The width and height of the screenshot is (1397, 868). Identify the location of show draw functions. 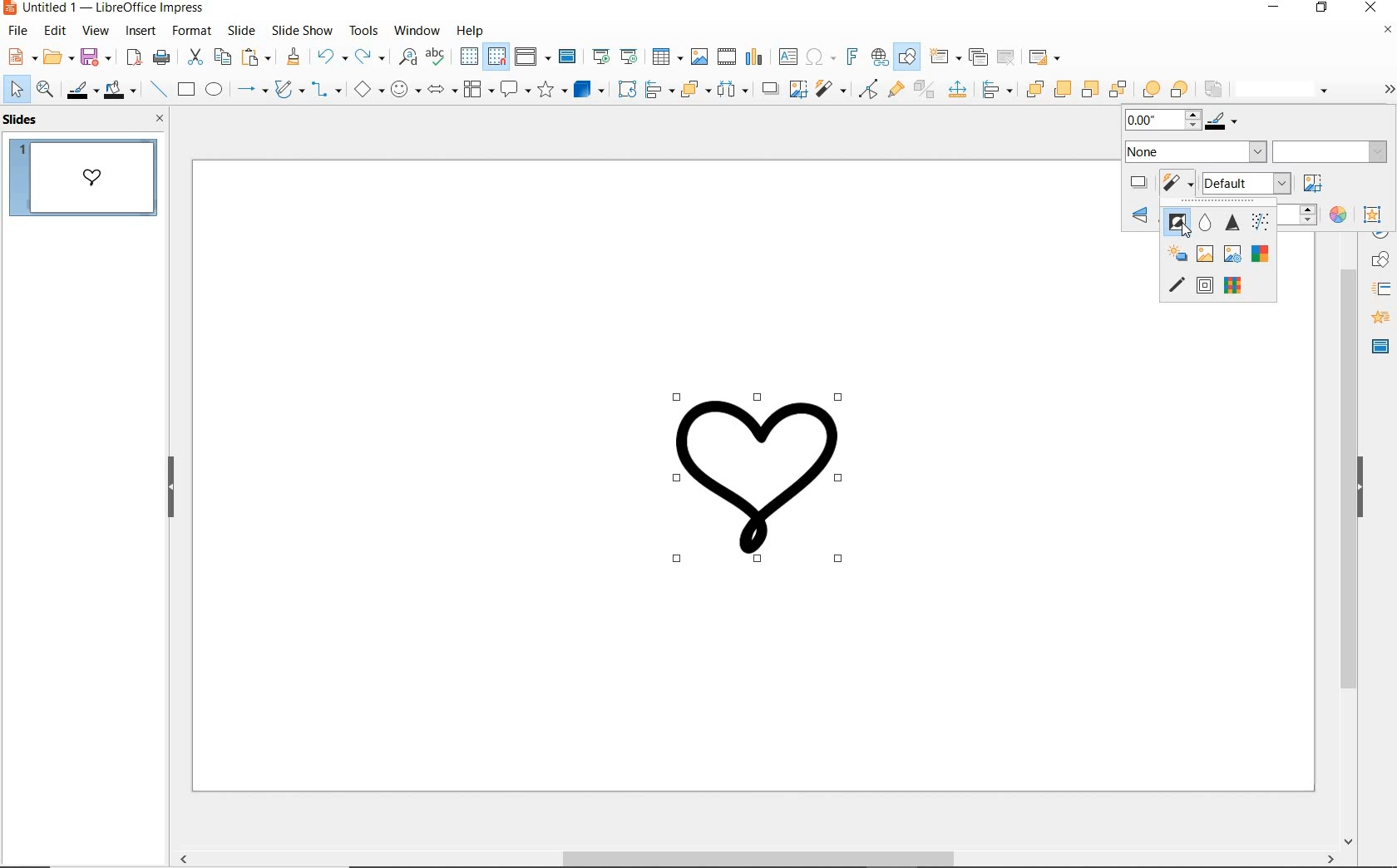
(906, 58).